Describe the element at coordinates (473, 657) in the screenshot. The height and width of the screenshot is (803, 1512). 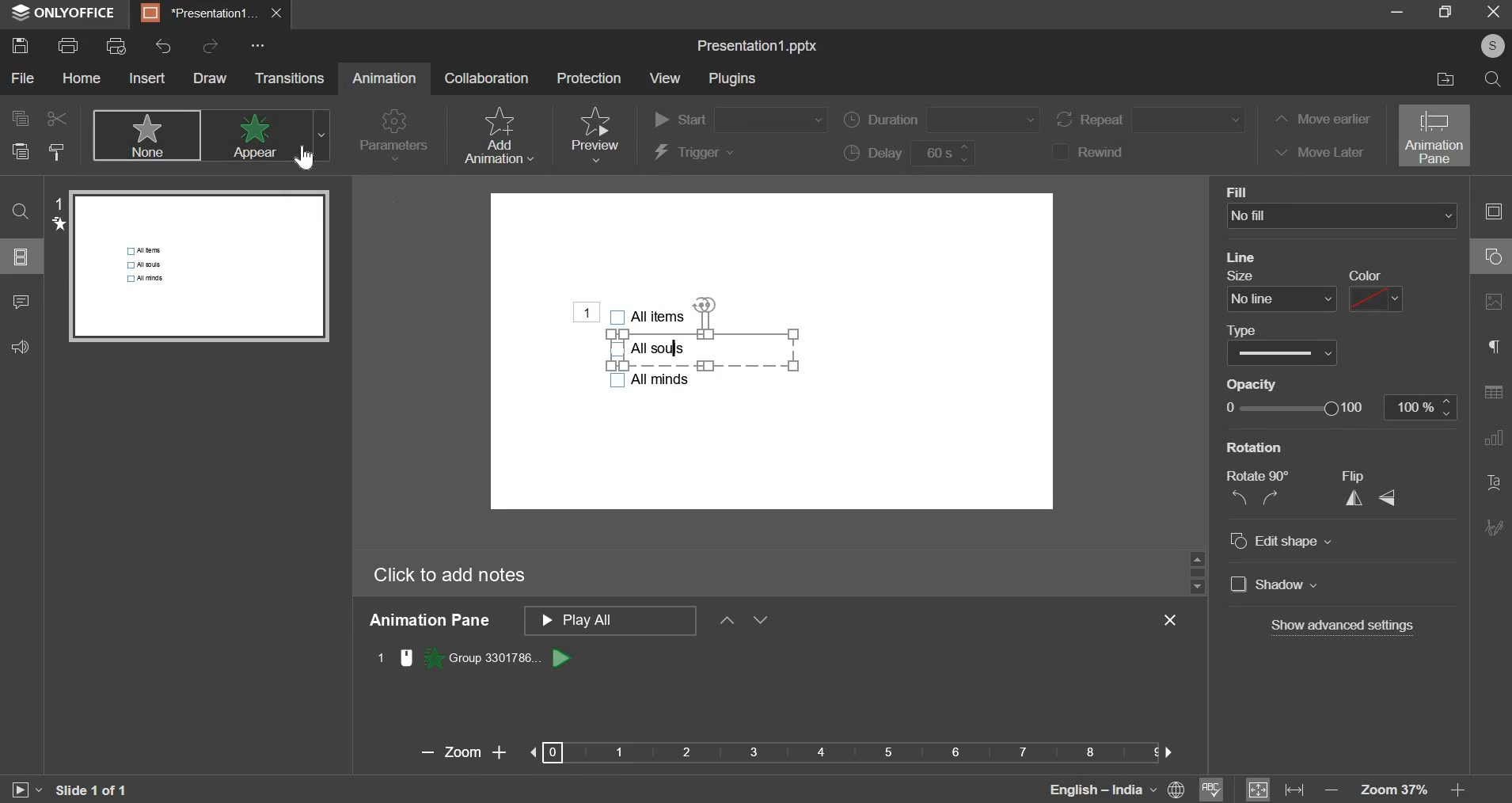
I see `animation 1` at that location.